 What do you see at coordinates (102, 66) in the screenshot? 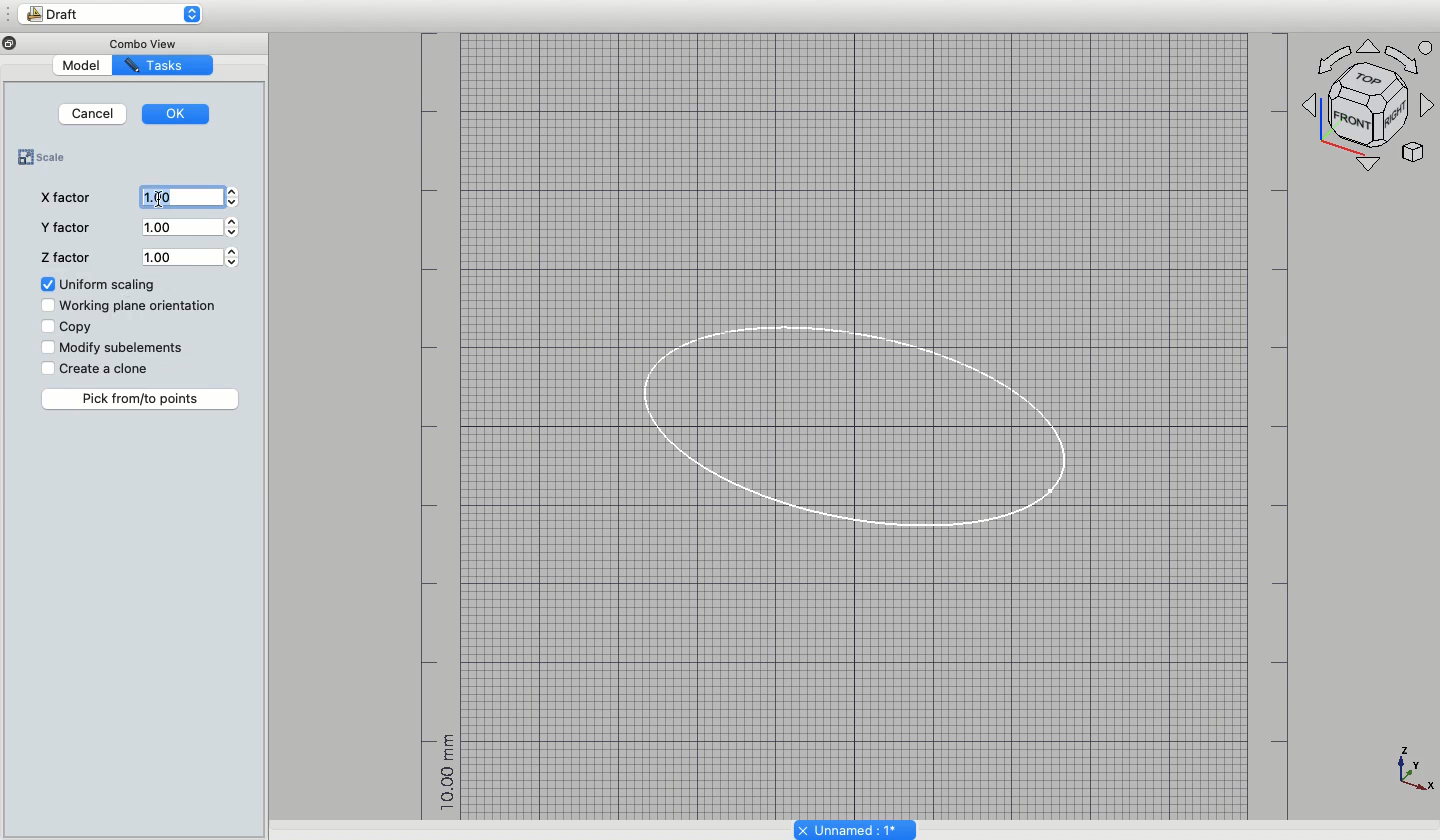
I see `Model ` at bounding box center [102, 66].